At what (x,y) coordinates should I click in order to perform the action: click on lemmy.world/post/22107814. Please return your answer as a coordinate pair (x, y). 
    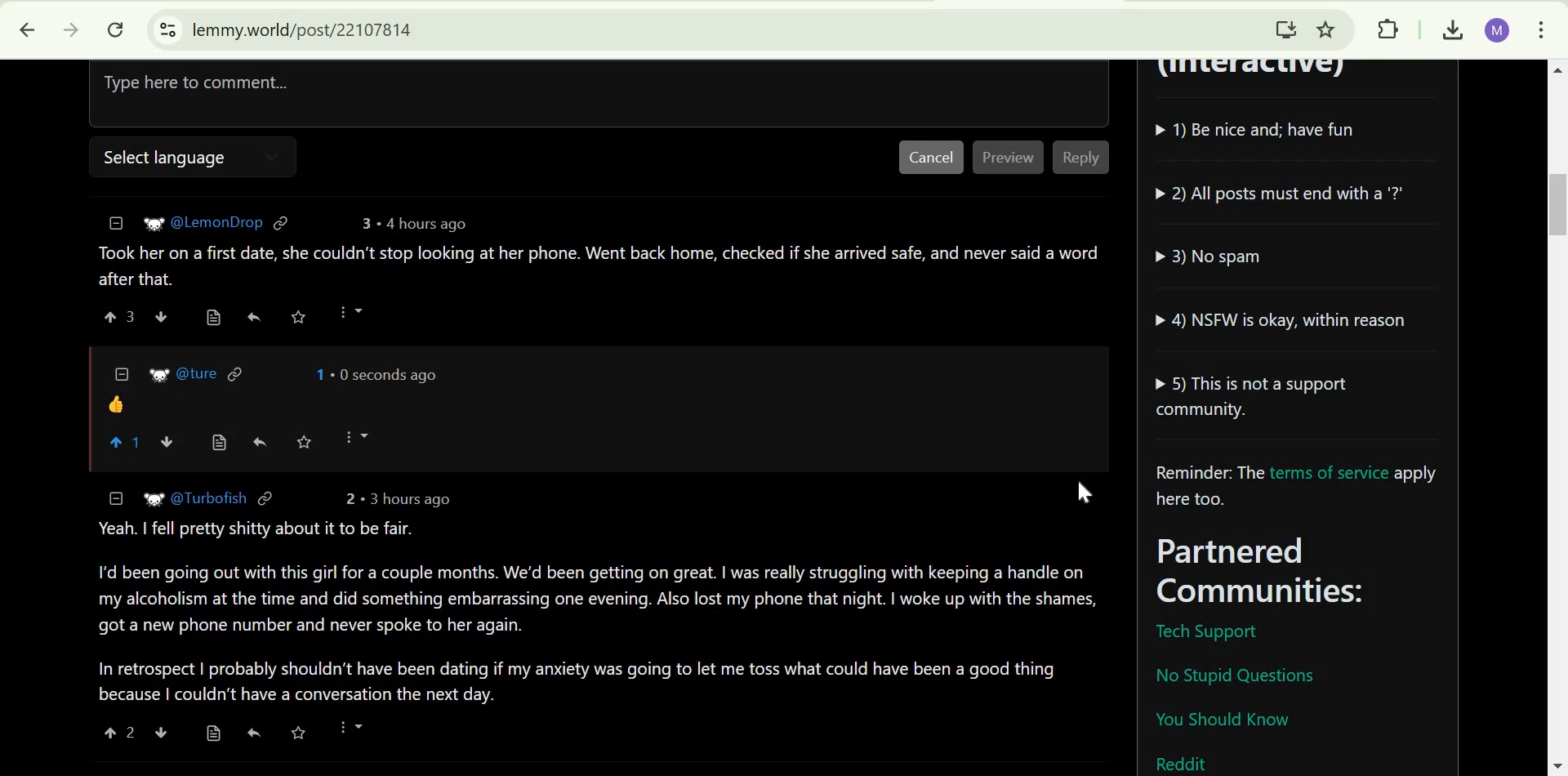
    Looking at the image, I should click on (302, 29).